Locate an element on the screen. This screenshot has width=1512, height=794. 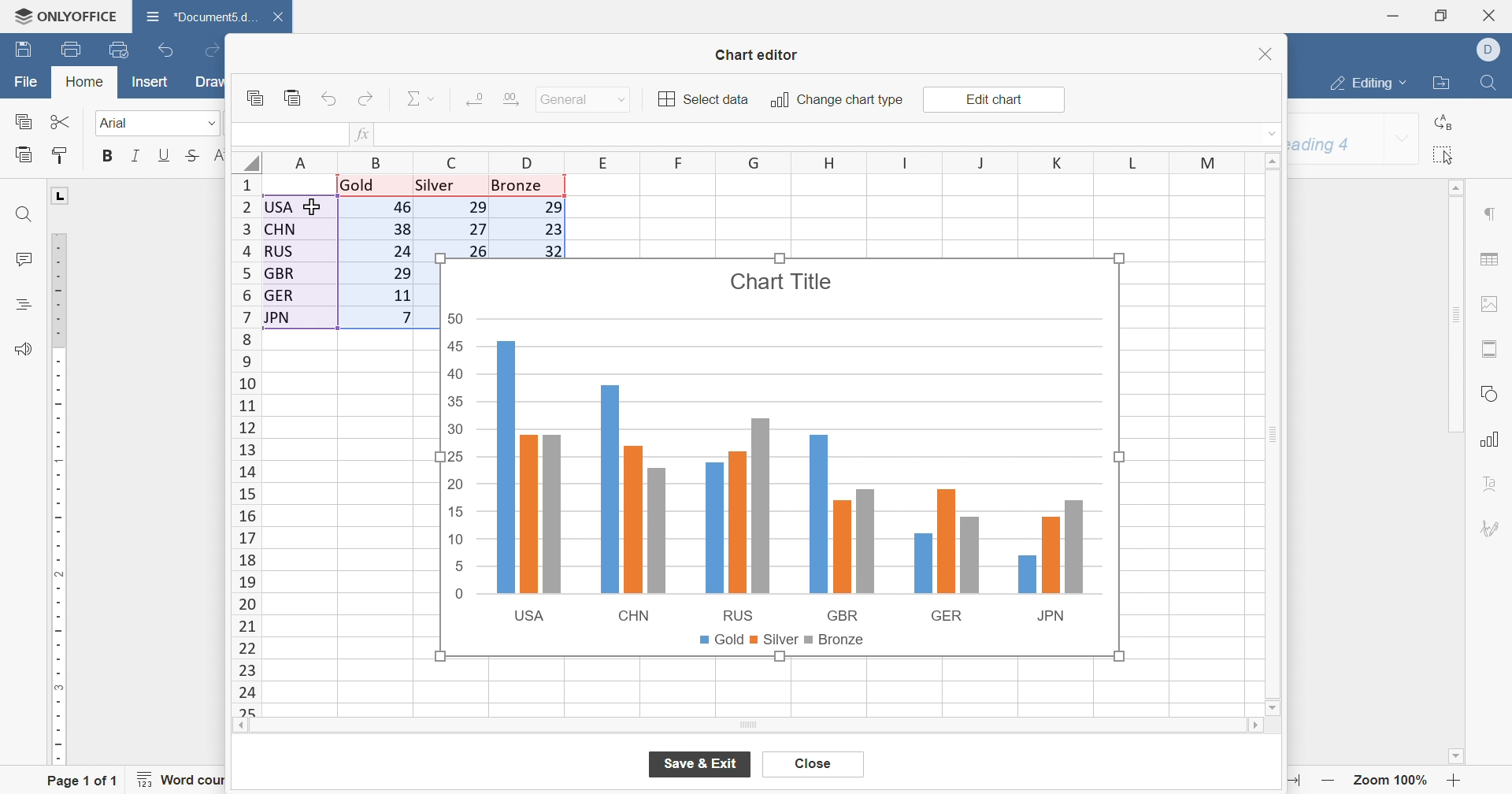
drop down is located at coordinates (1403, 140).